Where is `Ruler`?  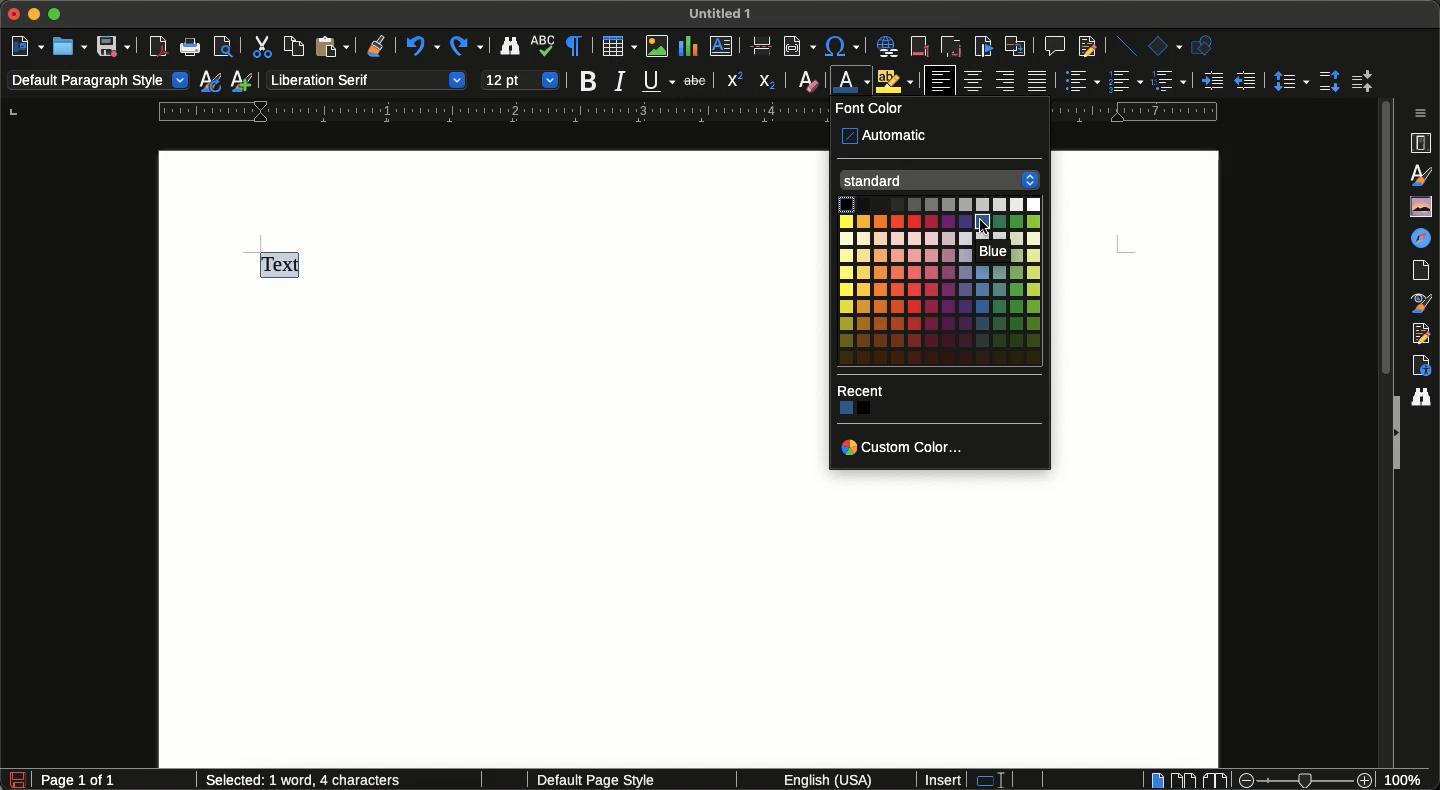
Ruler is located at coordinates (694, 114).